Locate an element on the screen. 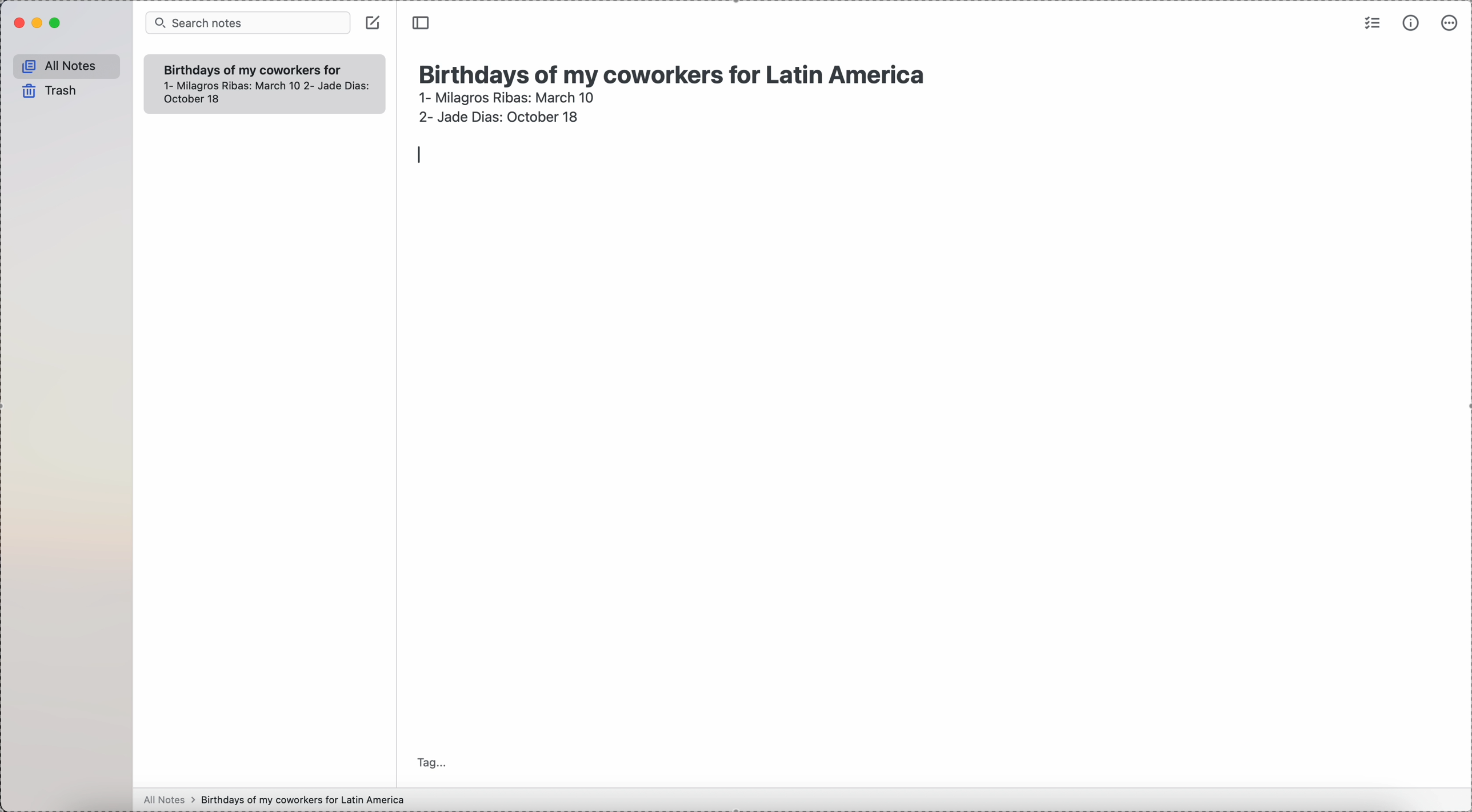 The width and height of the screenshot is (1472, 812). 1- Milagros Ribas: March 10 2- Jade Dias: October 18 is located at coordinates (266, 94).